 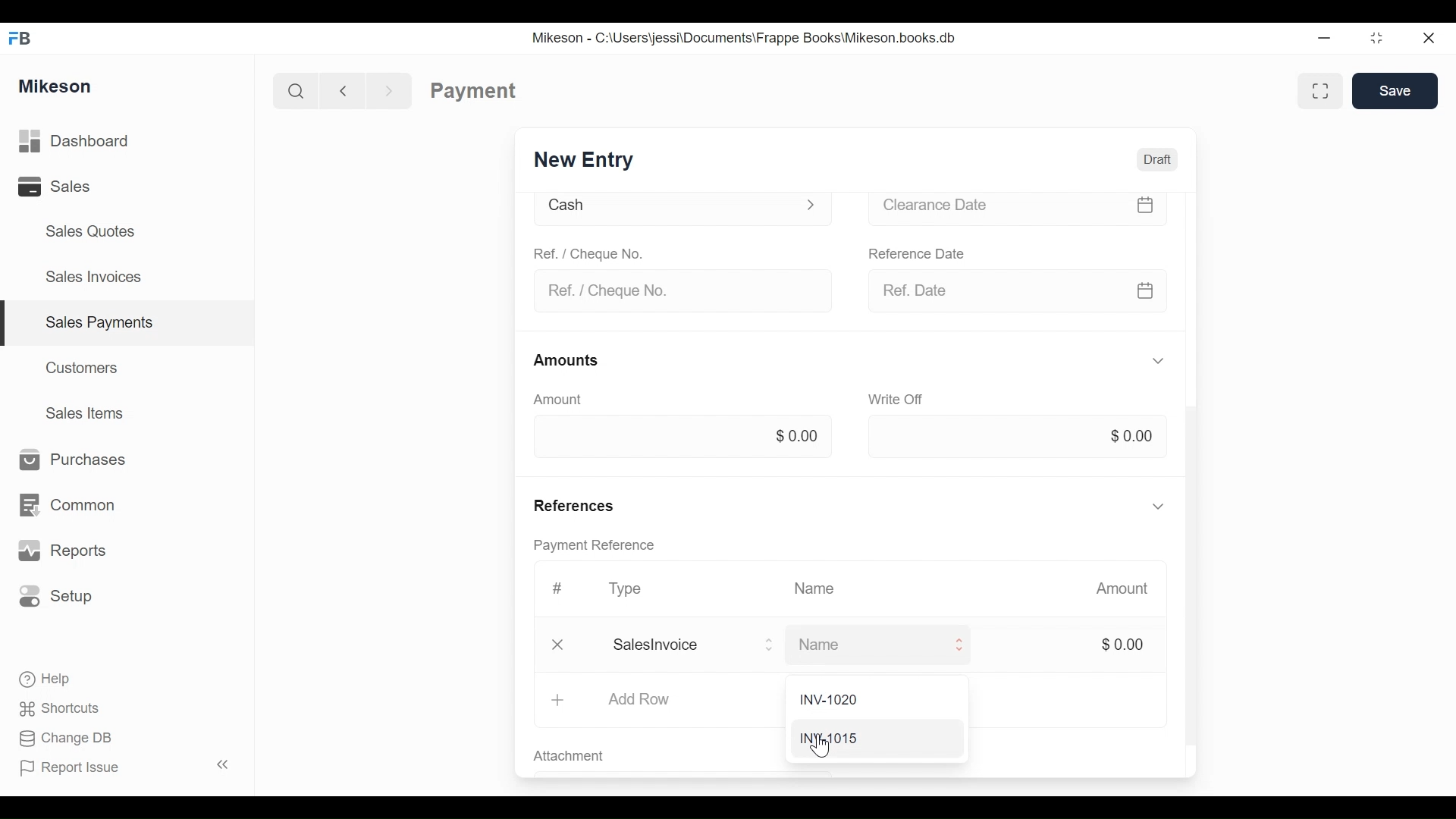 I want to click on Setup, so click(x=61, y=597).